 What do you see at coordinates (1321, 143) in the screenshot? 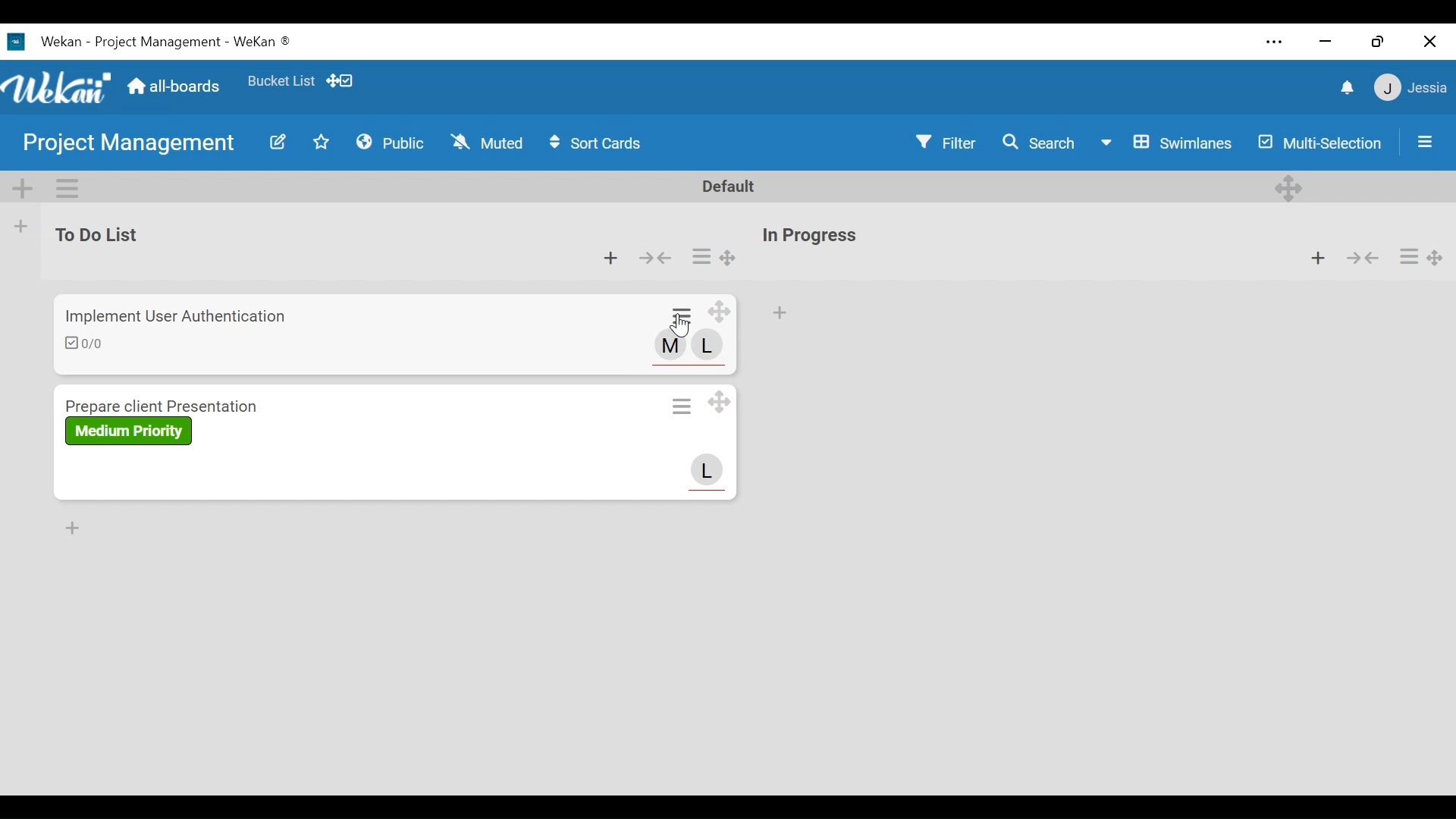
I see `Multi-Selection` at bounding box center [1321, 143].